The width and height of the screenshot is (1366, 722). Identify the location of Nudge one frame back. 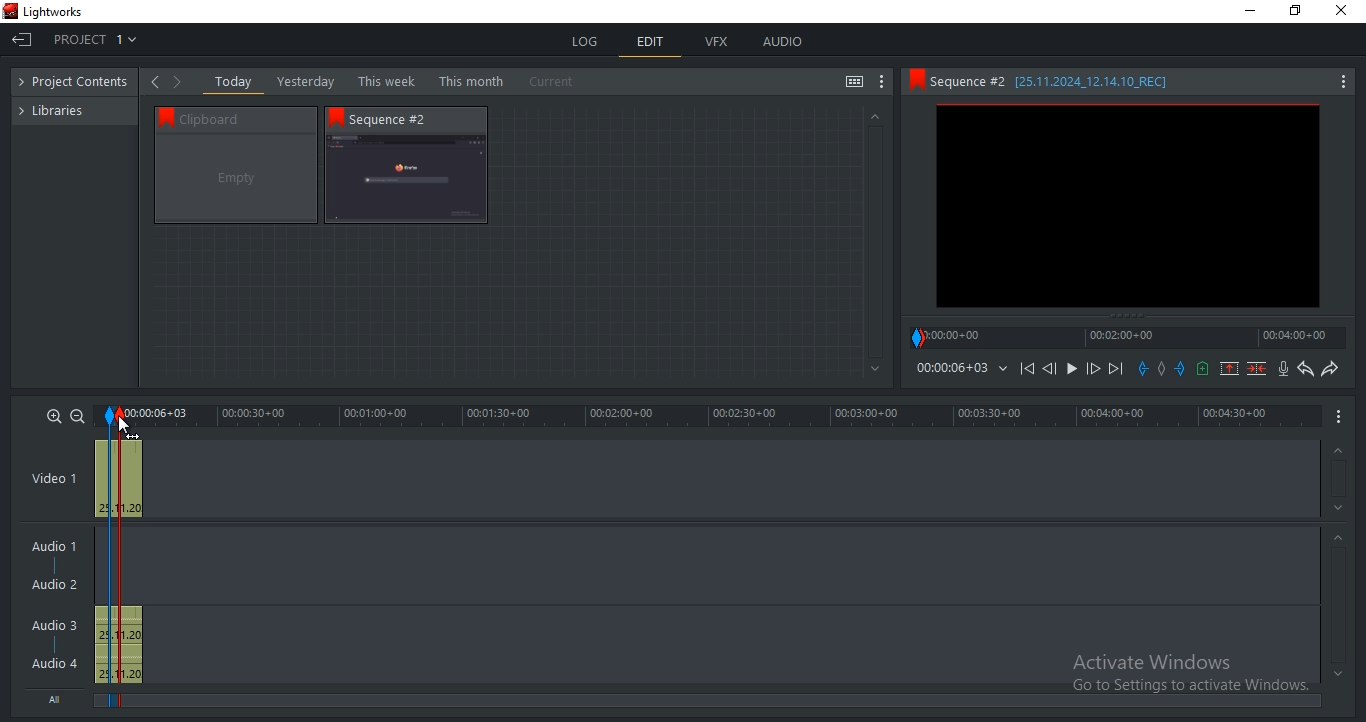
(1053, 371).